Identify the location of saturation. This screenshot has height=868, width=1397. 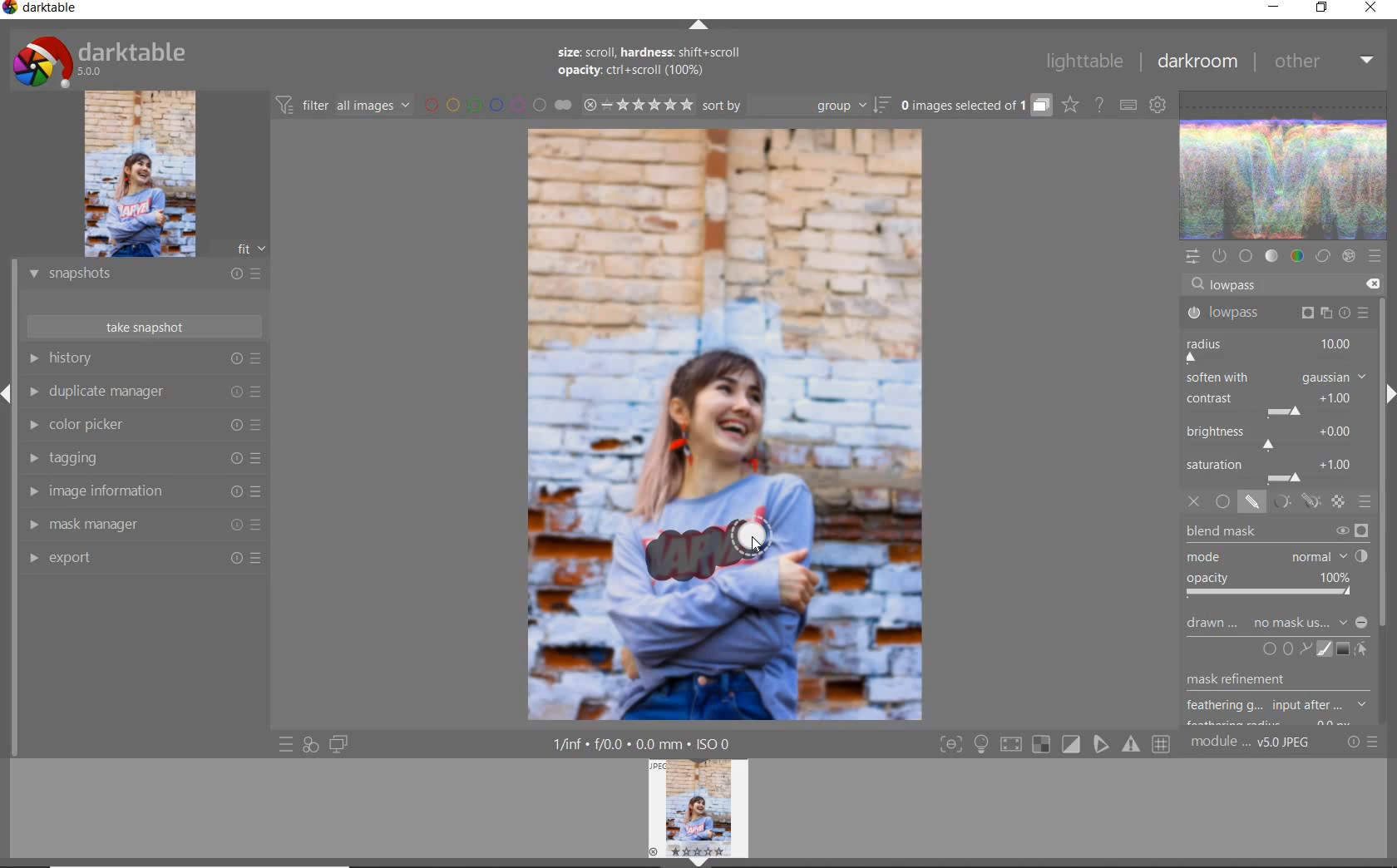
(1275, 470).